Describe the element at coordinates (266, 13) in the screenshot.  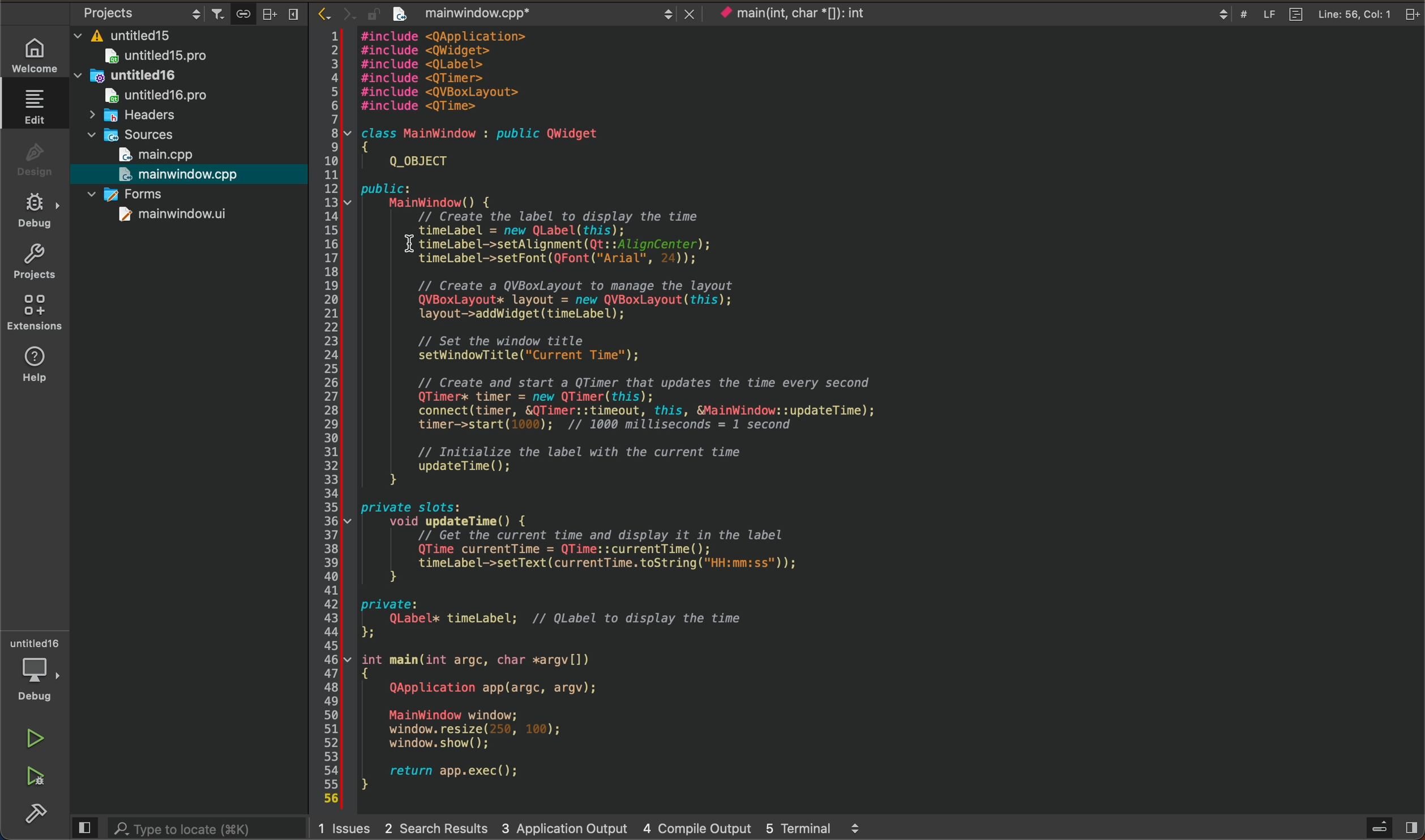
I see `Arrange` at that location.